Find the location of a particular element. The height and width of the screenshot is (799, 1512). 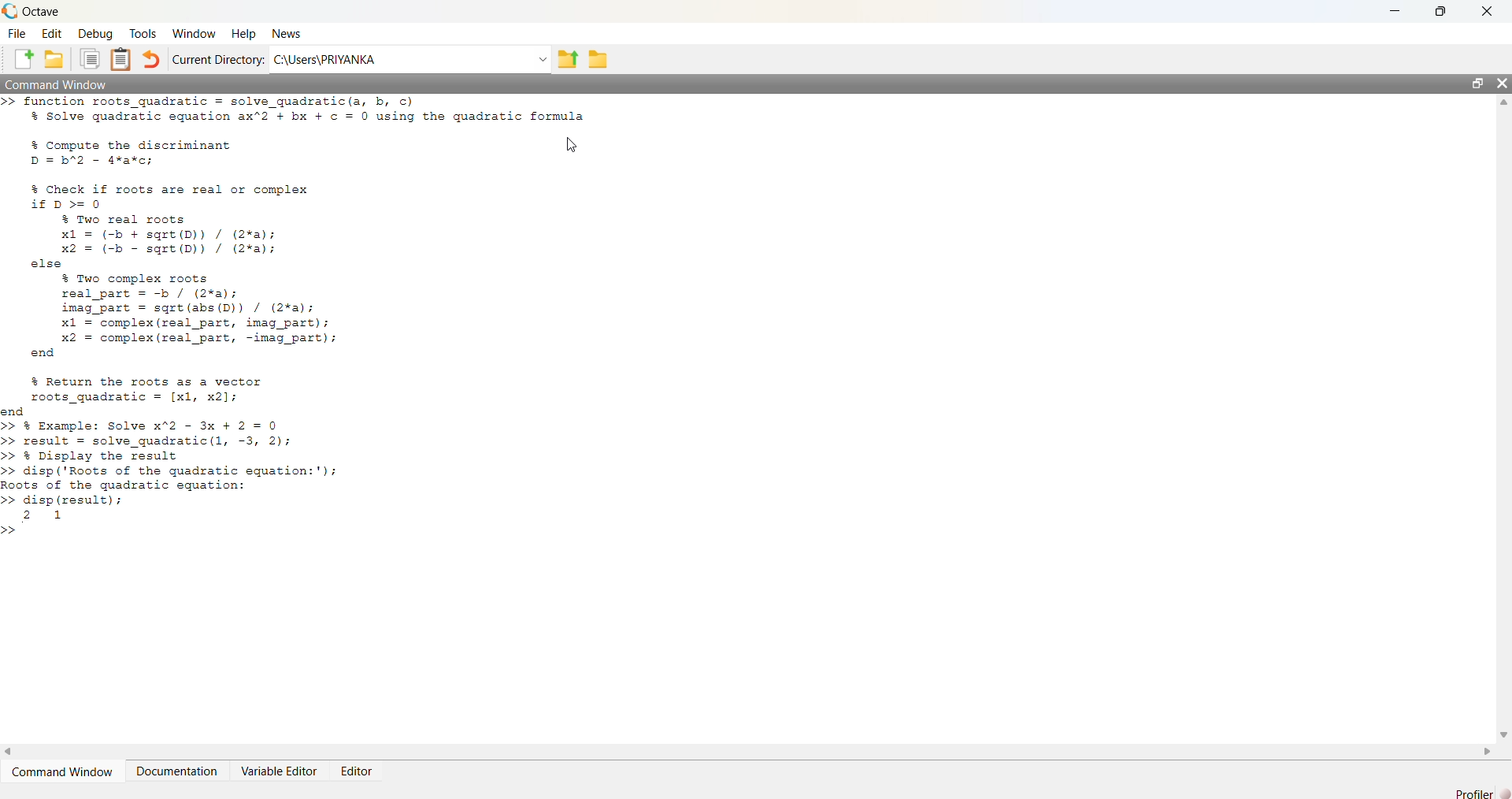

Editor is located at coordinates (360, 767).